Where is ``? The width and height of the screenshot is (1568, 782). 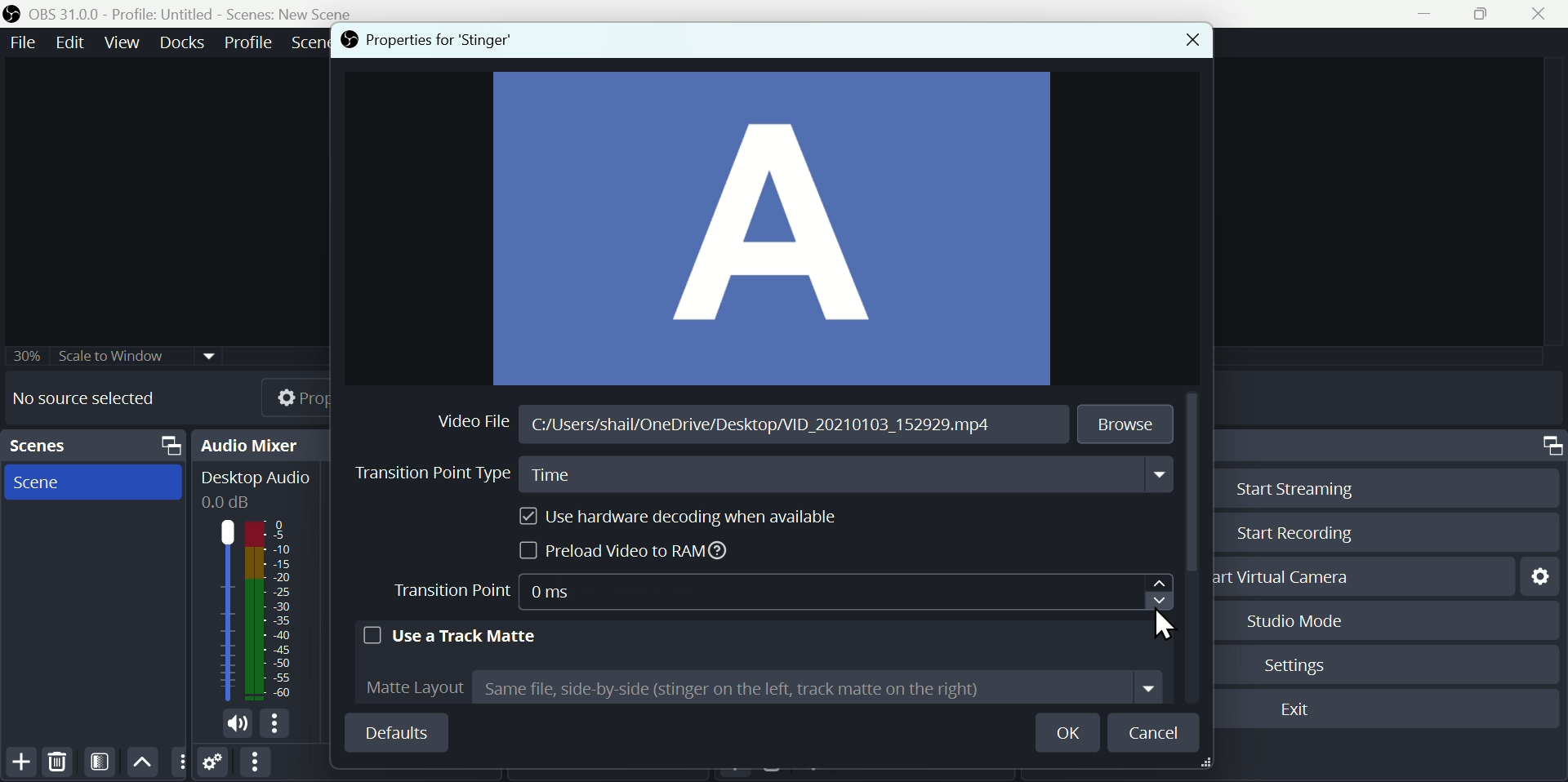
 is located at coordinates (125, 42).